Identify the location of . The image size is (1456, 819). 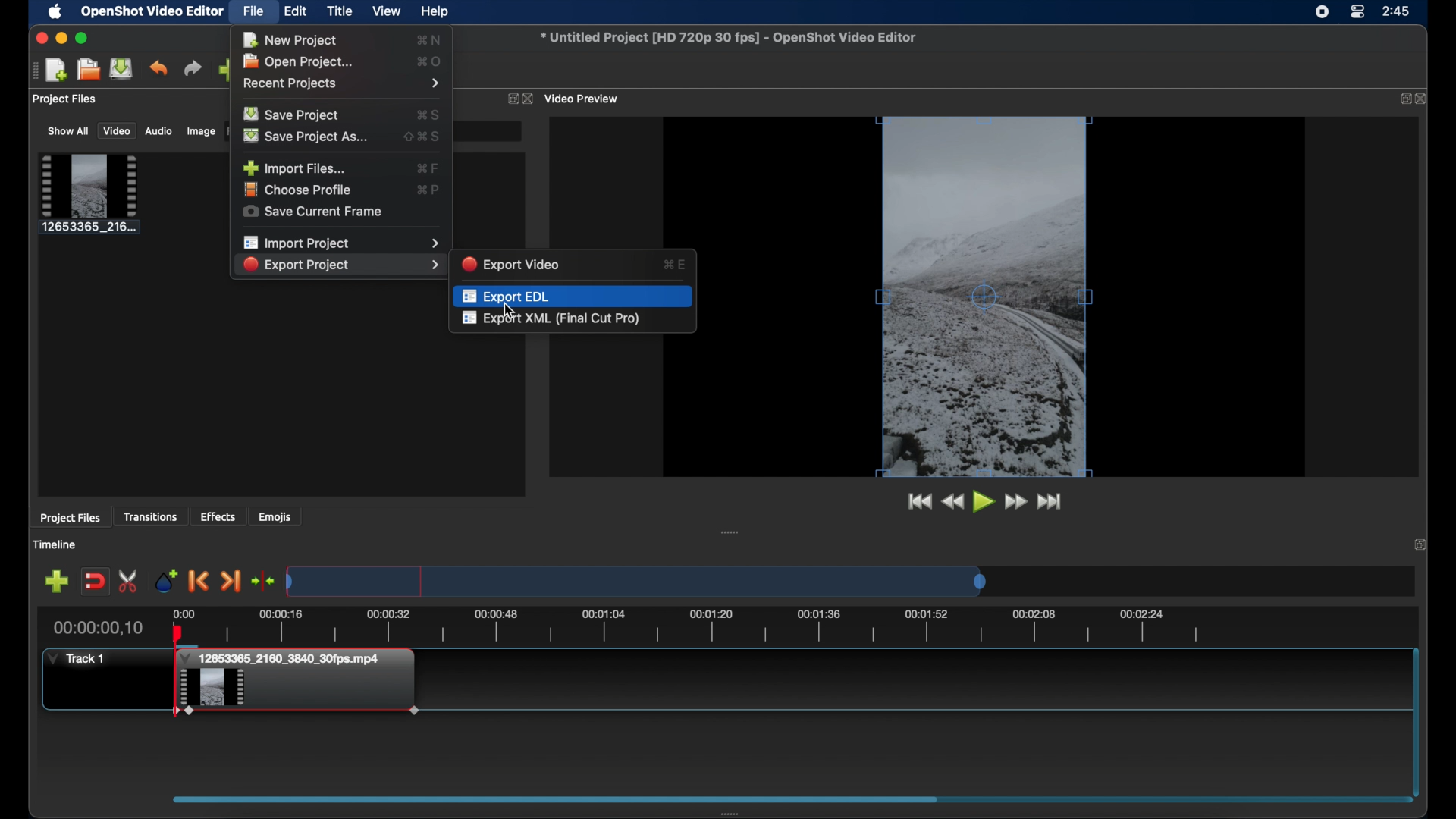
(263, 581).